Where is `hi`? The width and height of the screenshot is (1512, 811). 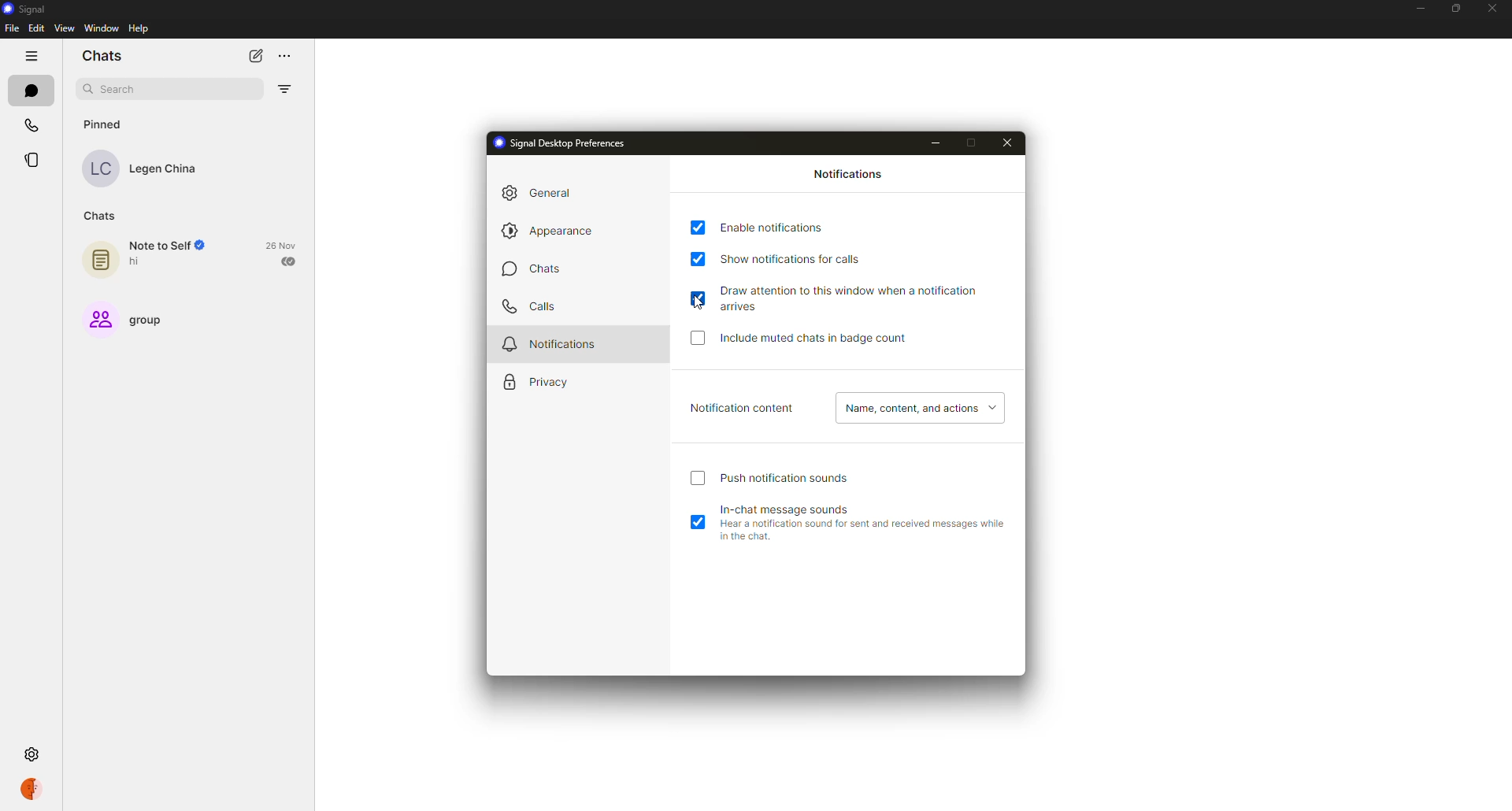 hi is located at coordinates (139, 262).